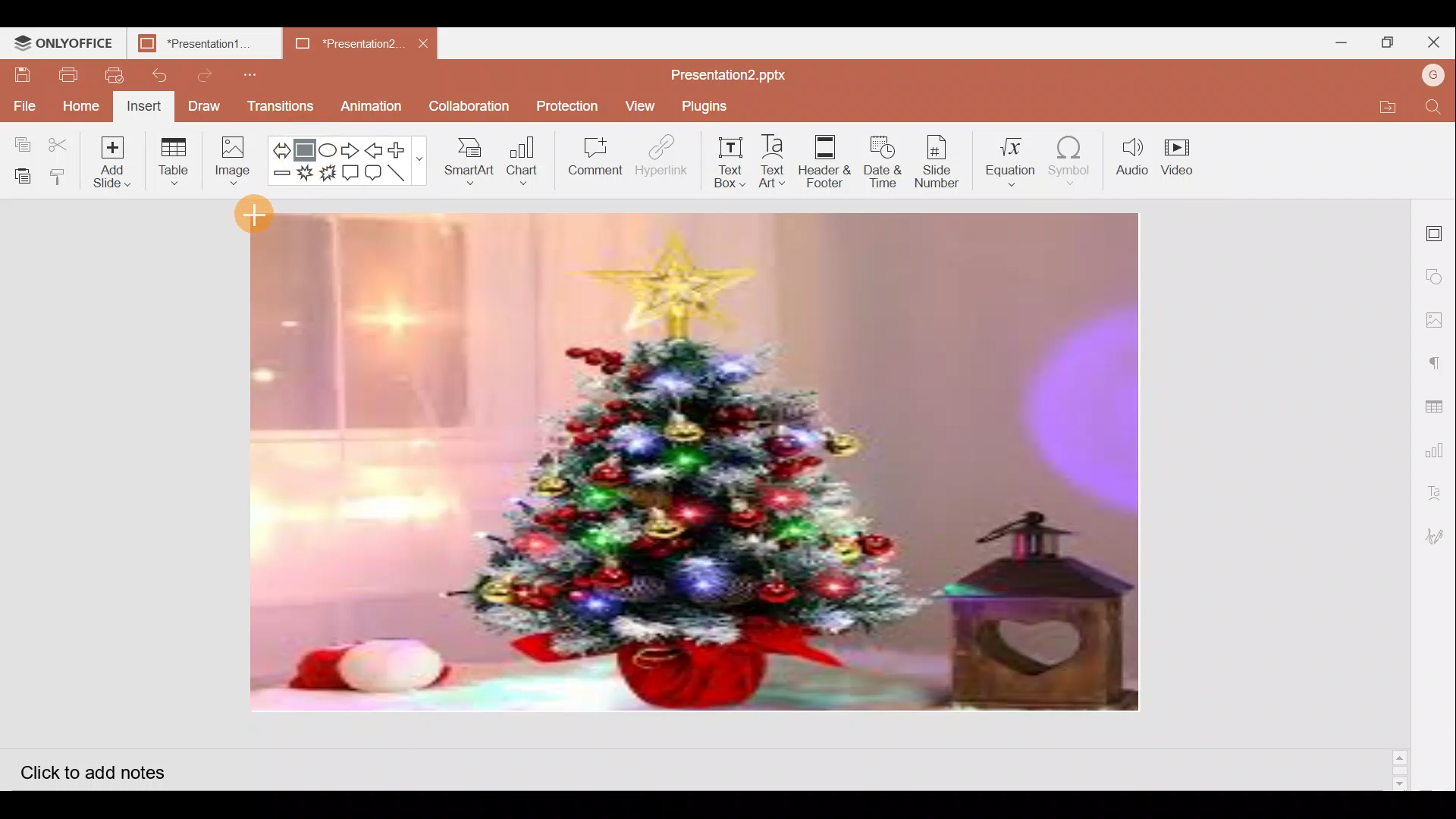  I want to click on Equation, so click(1010, 158).